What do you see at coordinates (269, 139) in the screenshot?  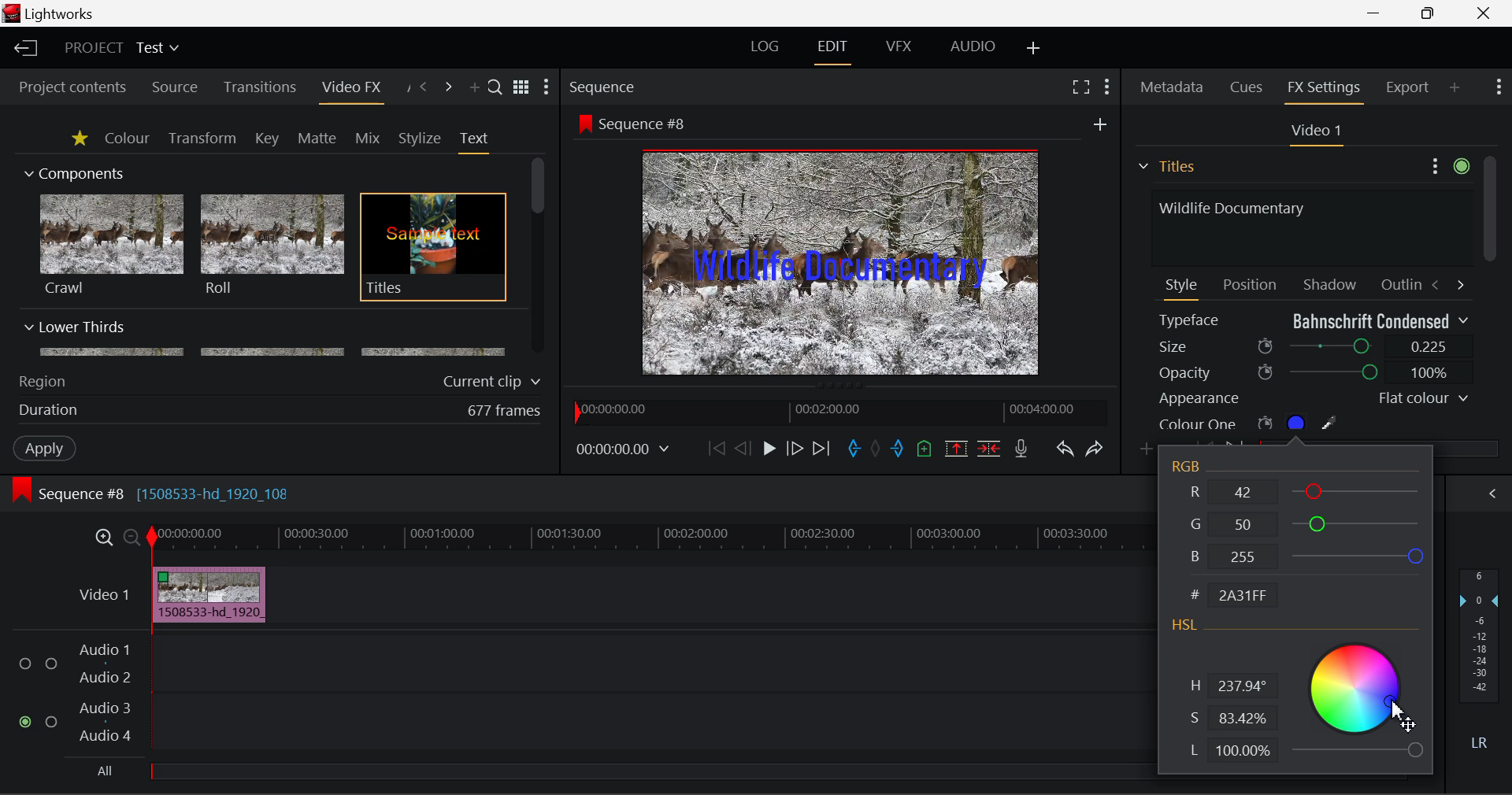 I see `Key` at bounding box center [269, 139].